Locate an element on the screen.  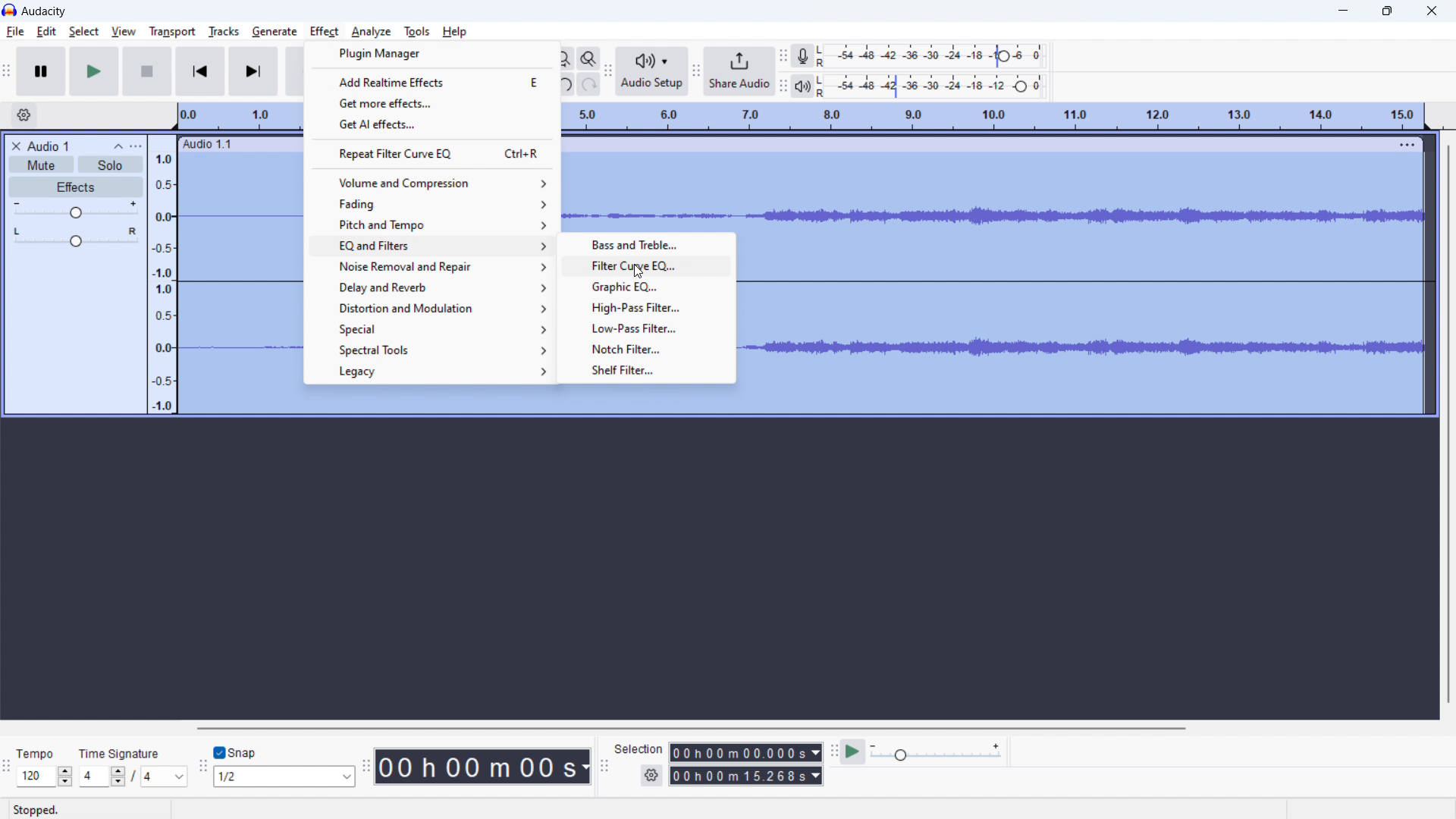
time signature toolbar is located at coordinates (7, 767).